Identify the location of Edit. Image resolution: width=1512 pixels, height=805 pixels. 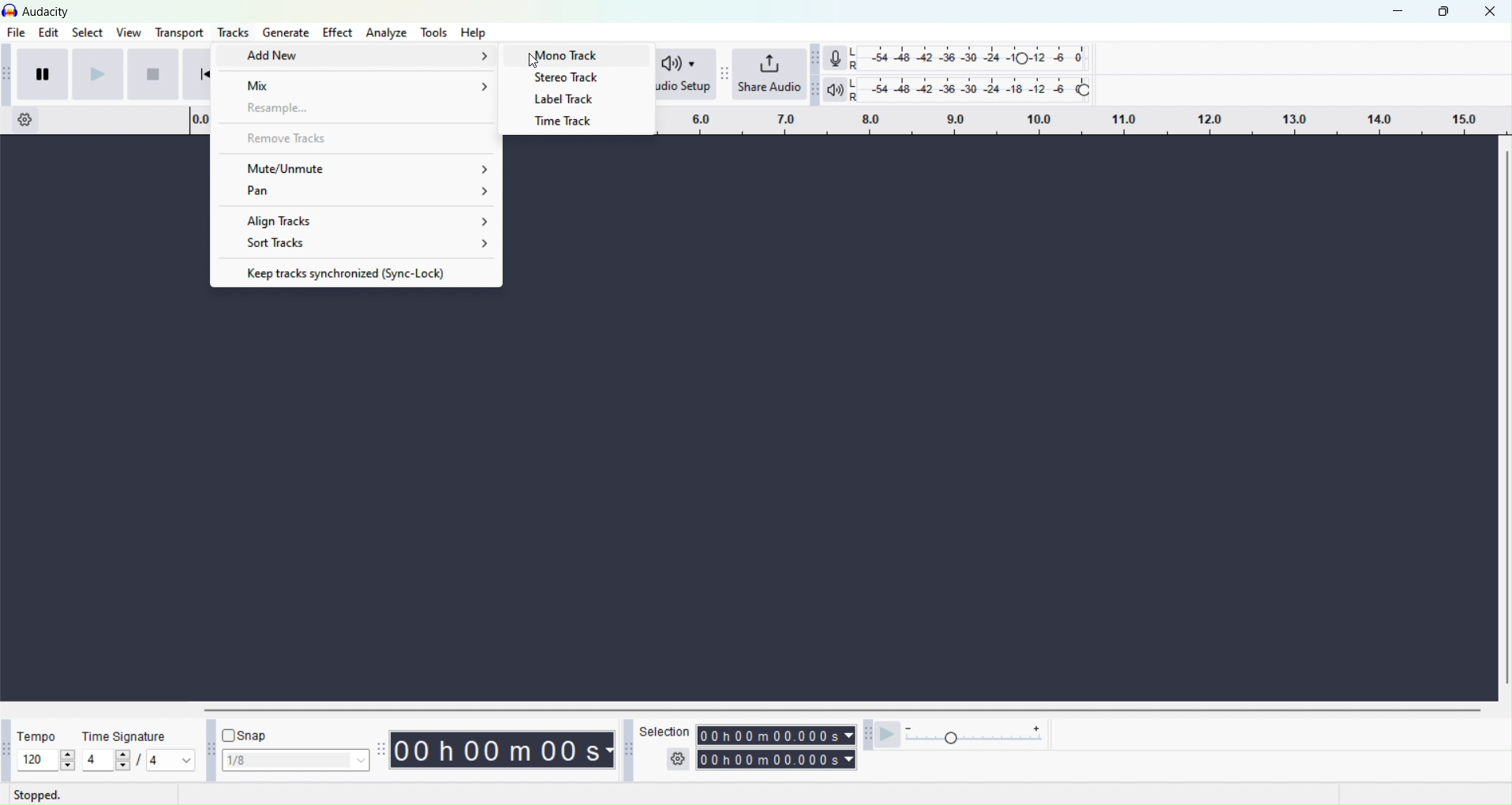
(51, 32).